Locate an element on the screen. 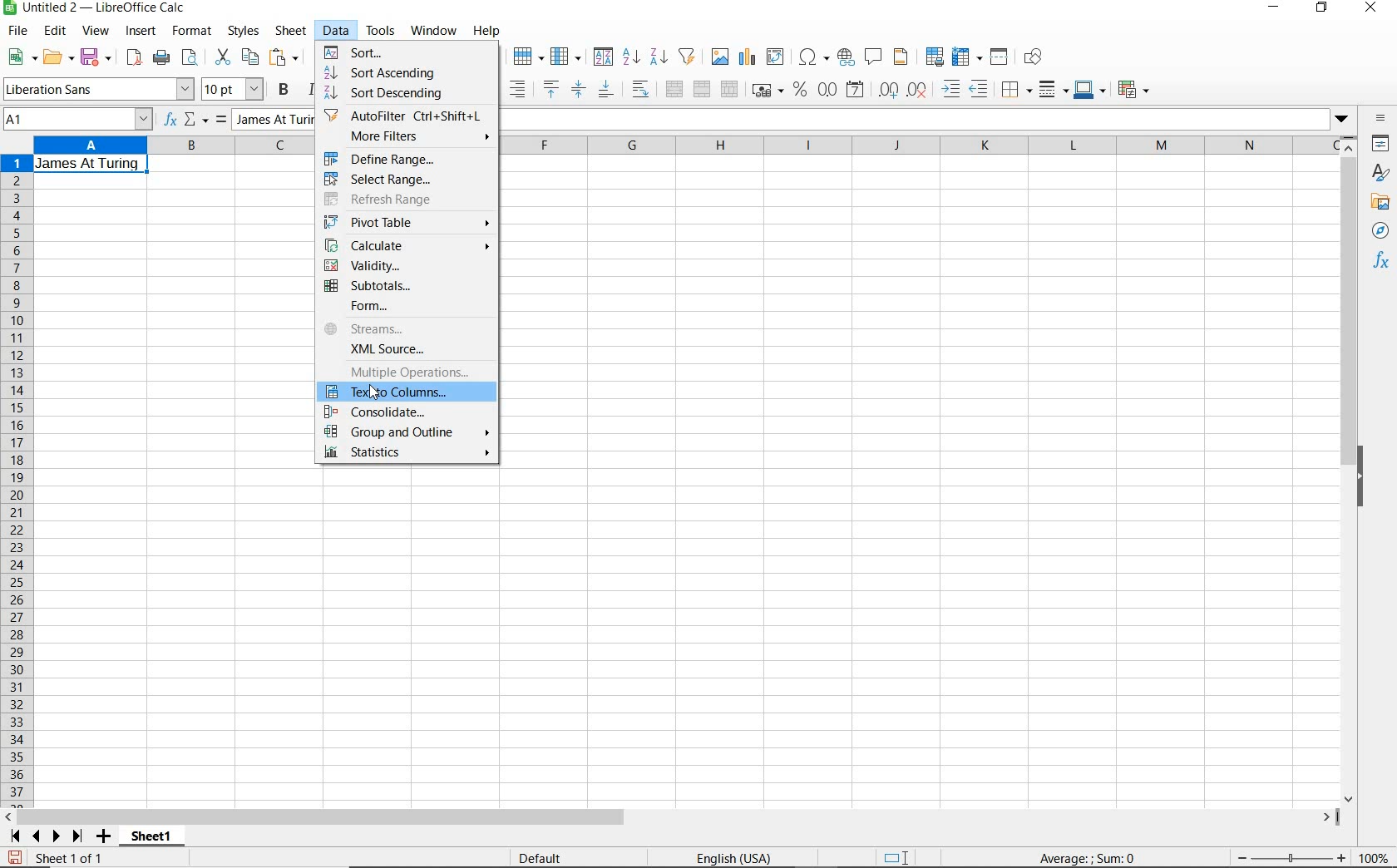 Image resolution: width=1397 pixels, height=868 pixels. delete decimal place is located at coordinates (921, 90).